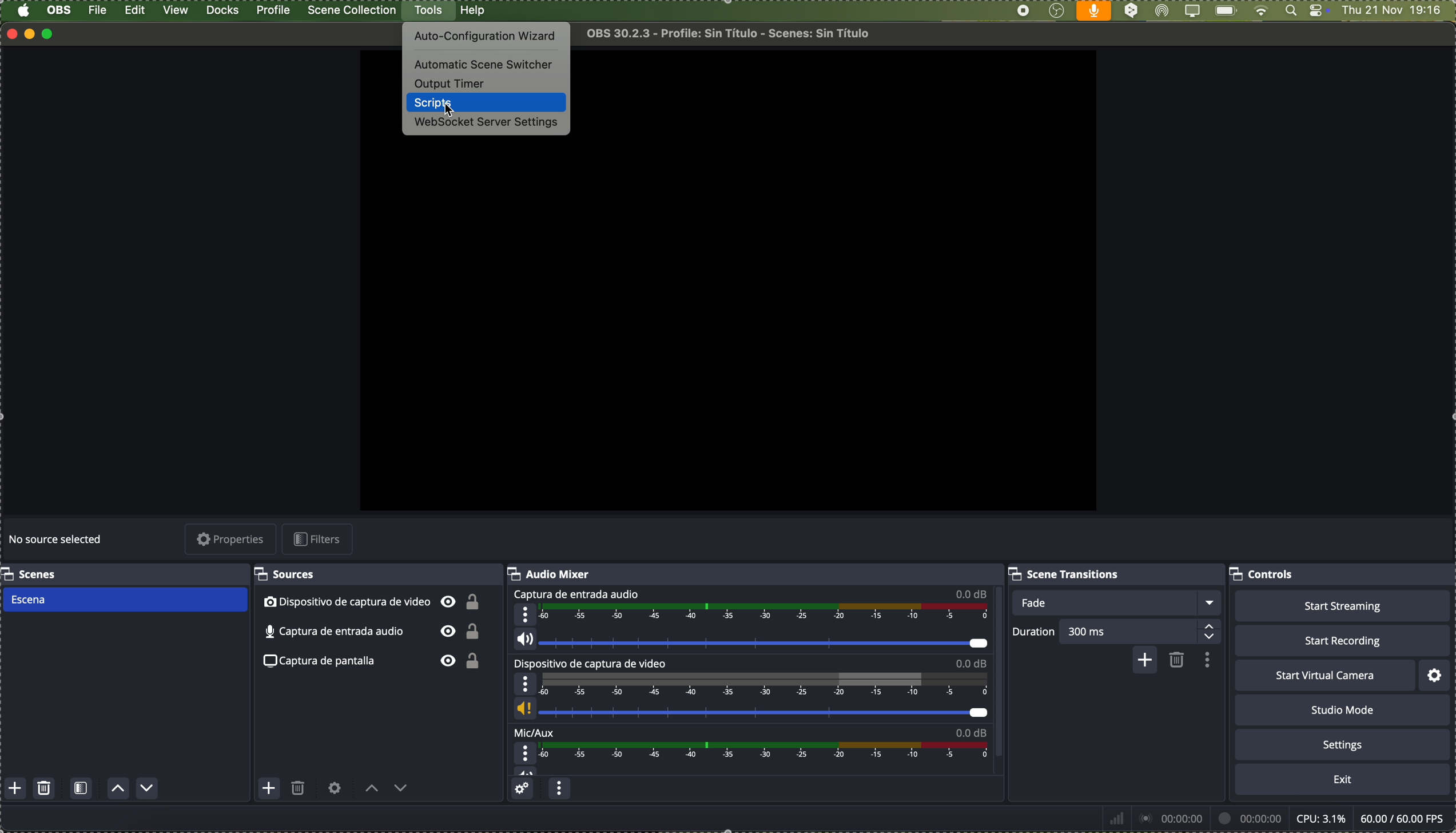 The image size is (1456, 833). Describe the element at coordinates (482, 65) in the screenshot. I see `automatic scene switcher` at that location.